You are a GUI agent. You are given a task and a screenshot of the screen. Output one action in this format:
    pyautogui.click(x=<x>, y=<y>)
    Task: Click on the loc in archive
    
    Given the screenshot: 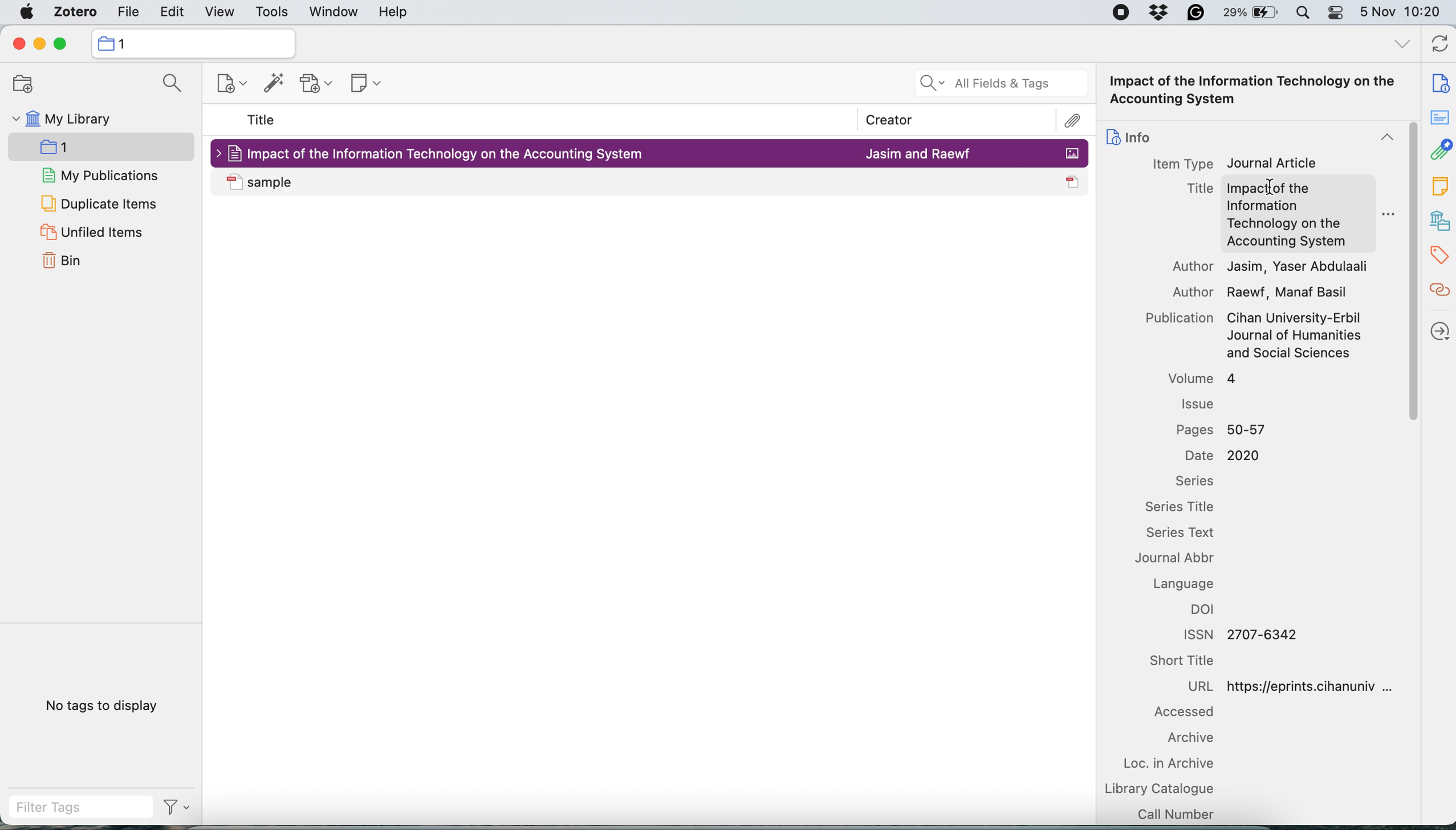 What is the action you would take?
    pyautogui.click(x=1175, y=762)
    